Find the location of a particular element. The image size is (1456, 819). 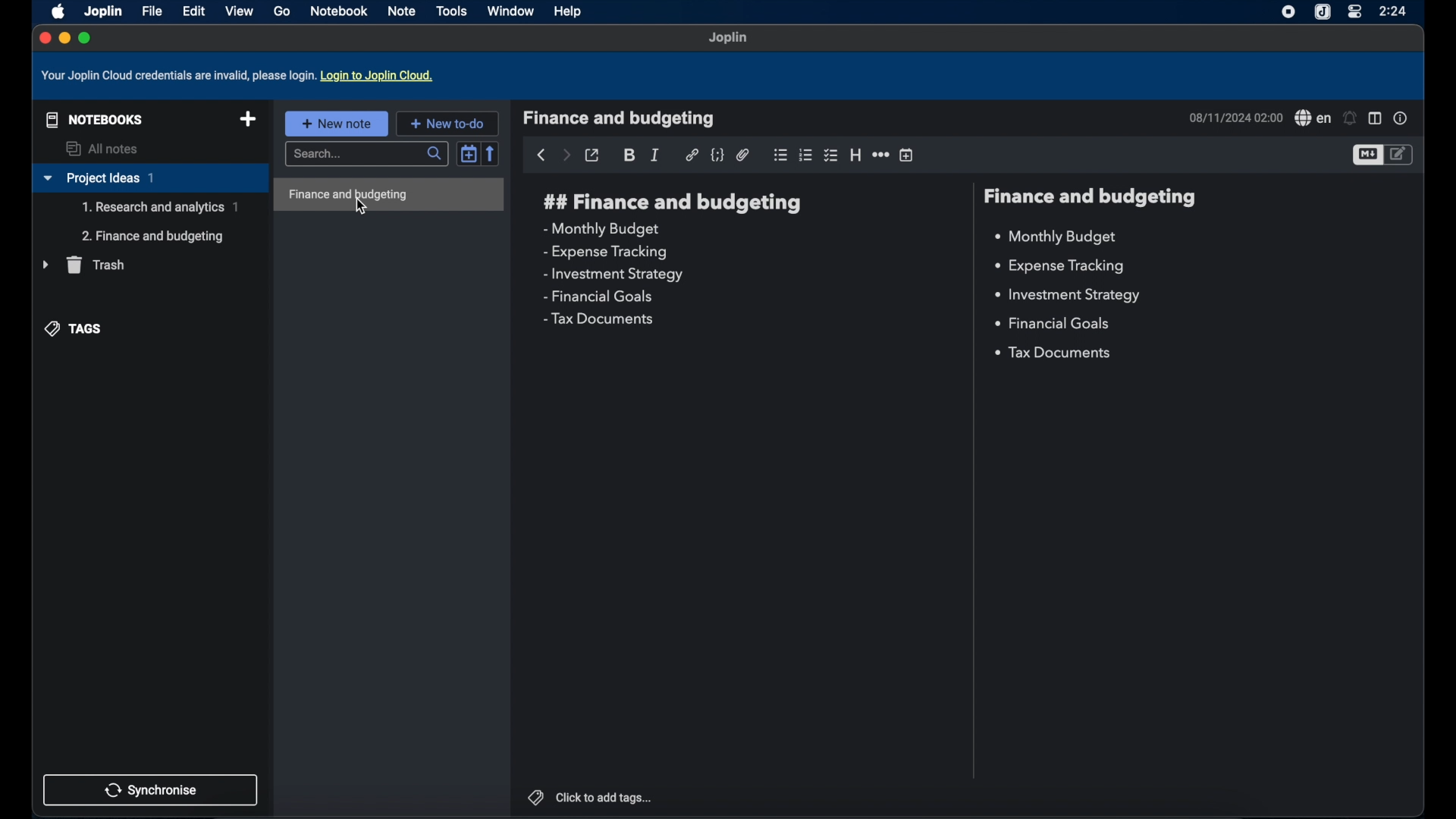

monthly budget is located at coordinates (600, 229).